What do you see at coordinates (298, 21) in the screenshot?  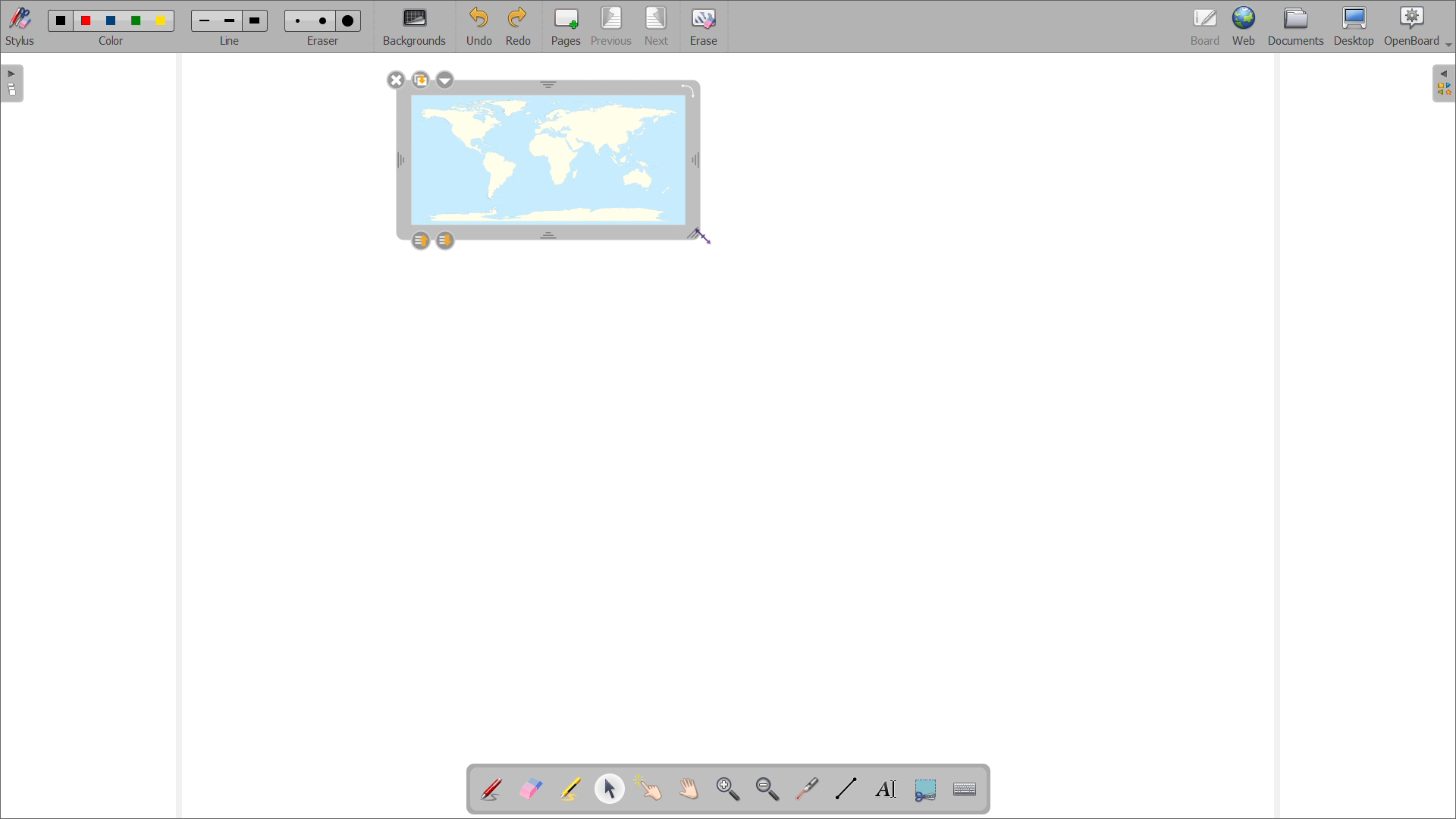 I see `small` at bounding box center [298, 21].